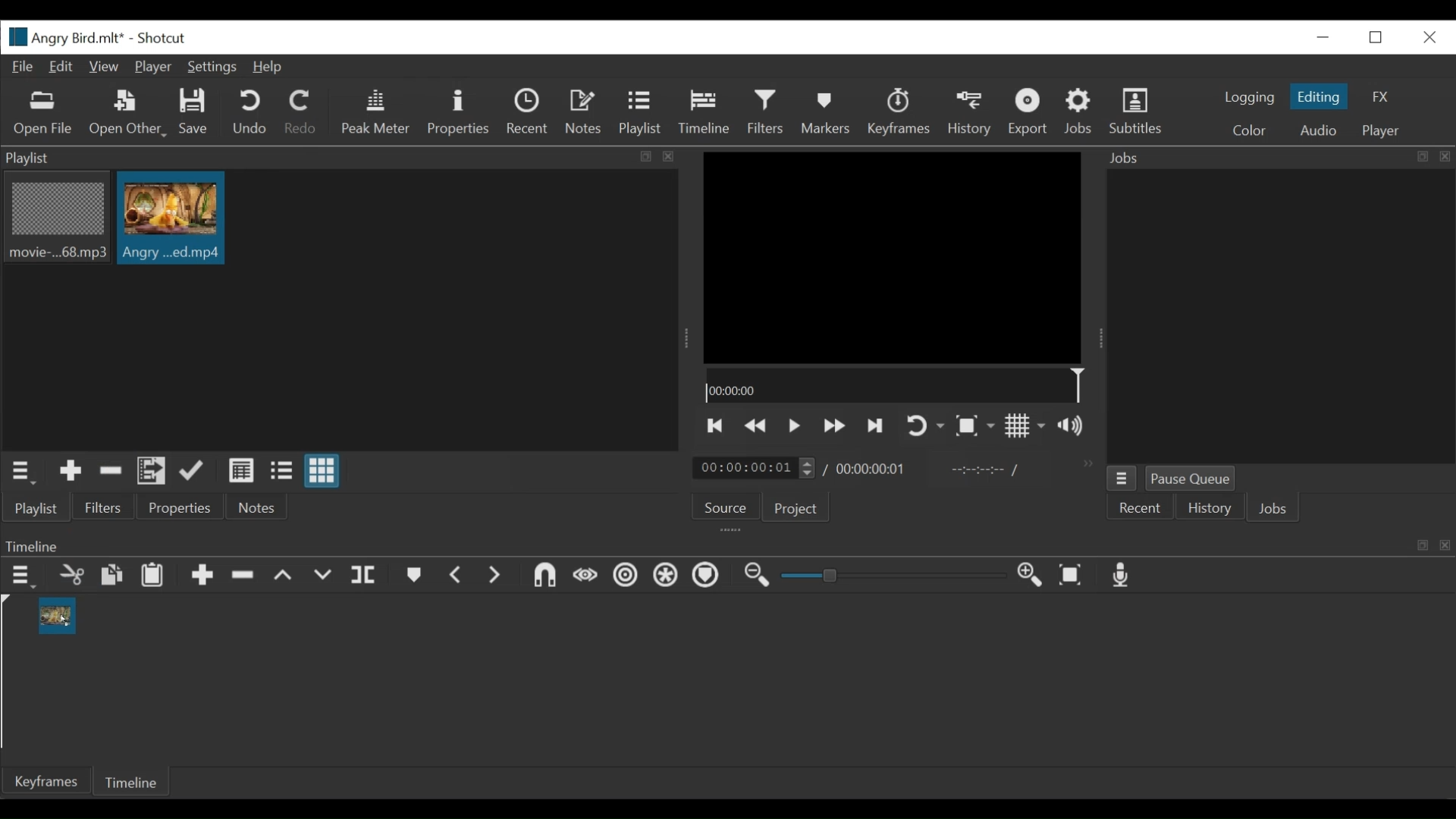  I want to click on Append, so click(201, 576).